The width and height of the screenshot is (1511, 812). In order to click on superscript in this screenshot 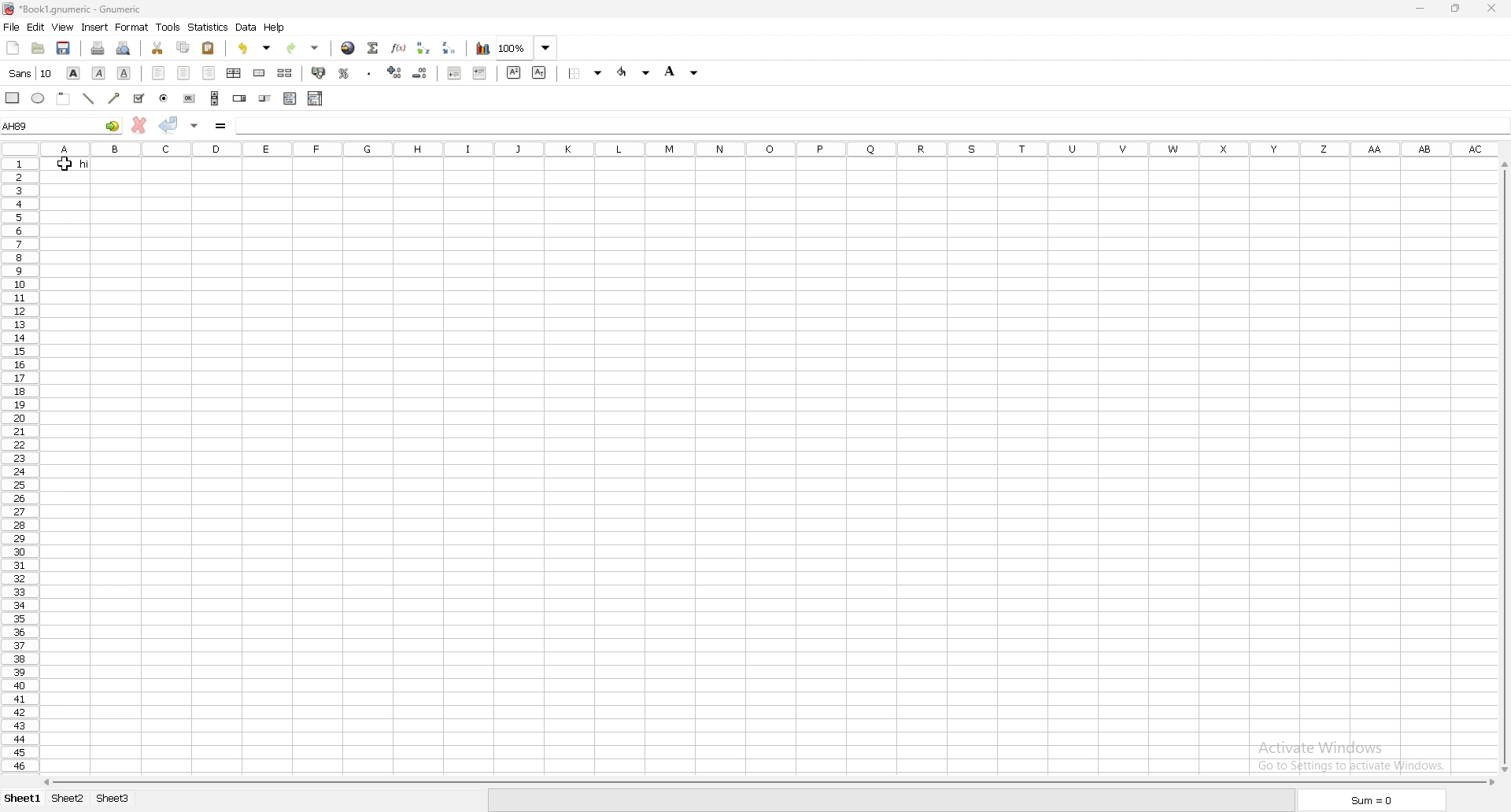, I will do `click(512, 72)`.